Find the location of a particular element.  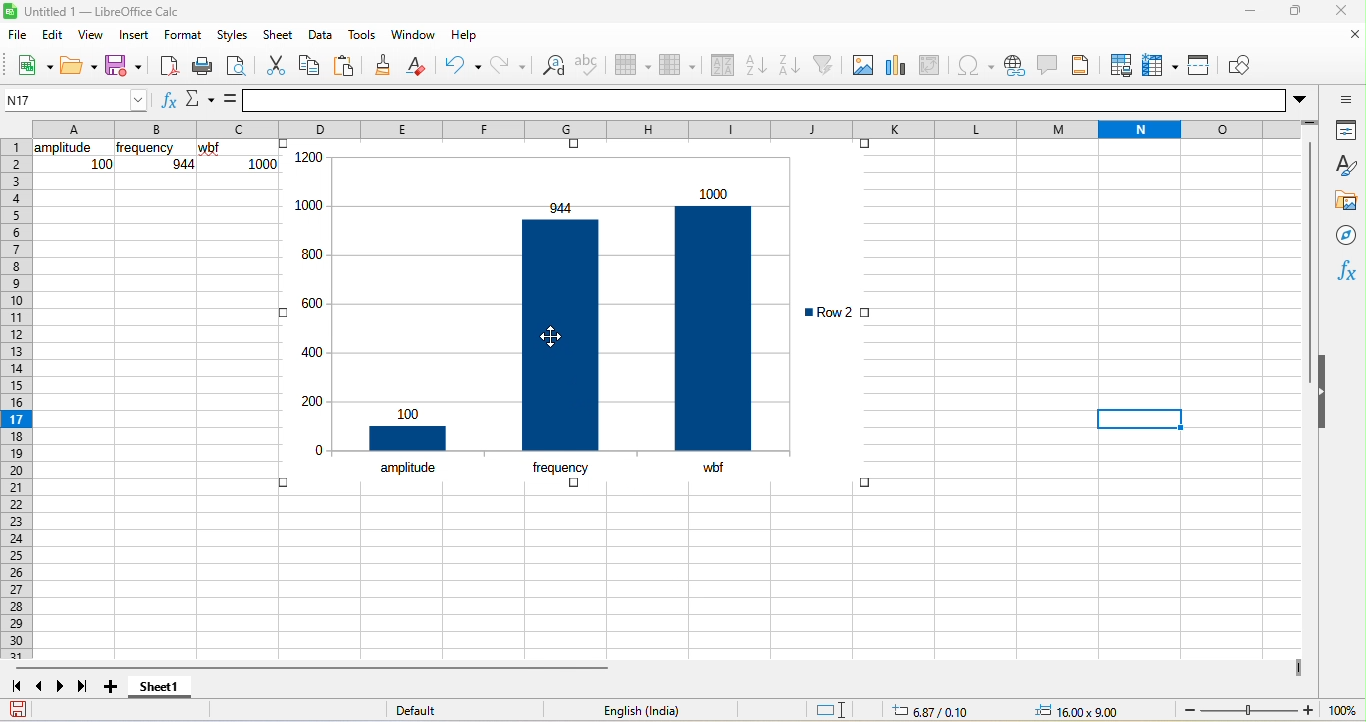

styles is located at coordinates (230, 34).